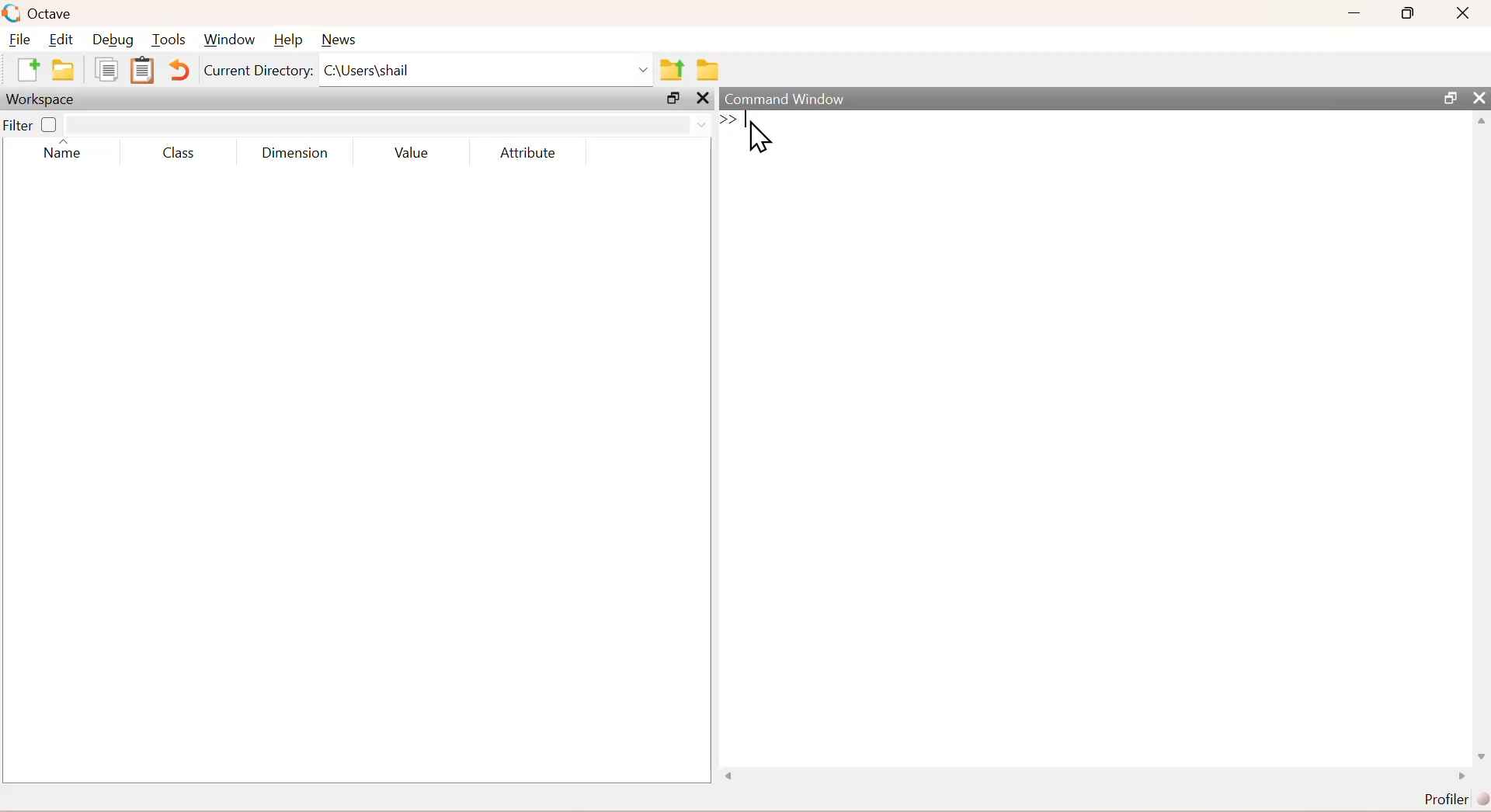 The width and height of the screenshot is (1491, 812). What do you see at coordinates (672, 99) in the screenshot?
I see `Maximize/Restore` at bounding box center [672, 99].